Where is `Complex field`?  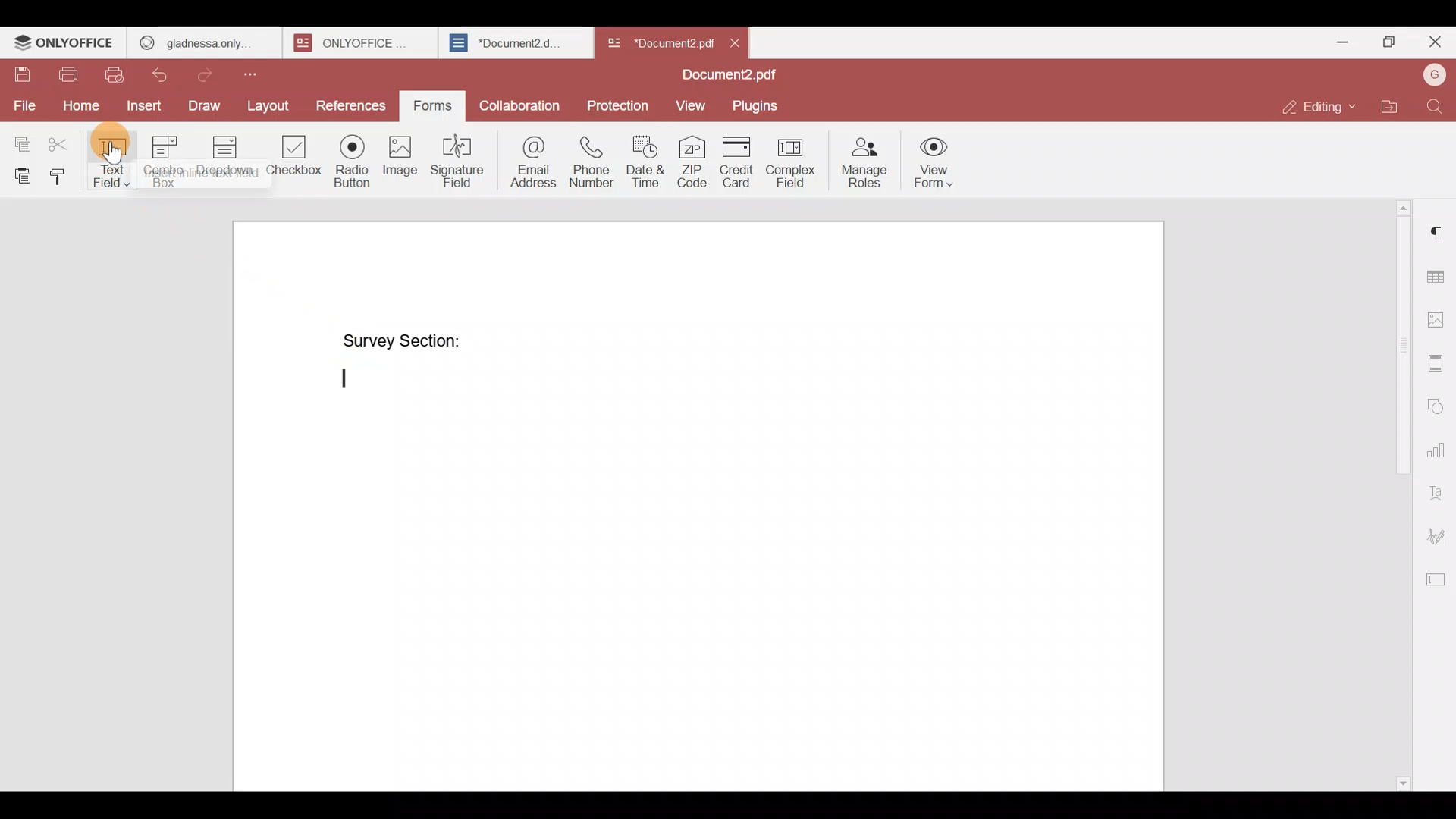
Complex field is located at coordinates (796, 160).